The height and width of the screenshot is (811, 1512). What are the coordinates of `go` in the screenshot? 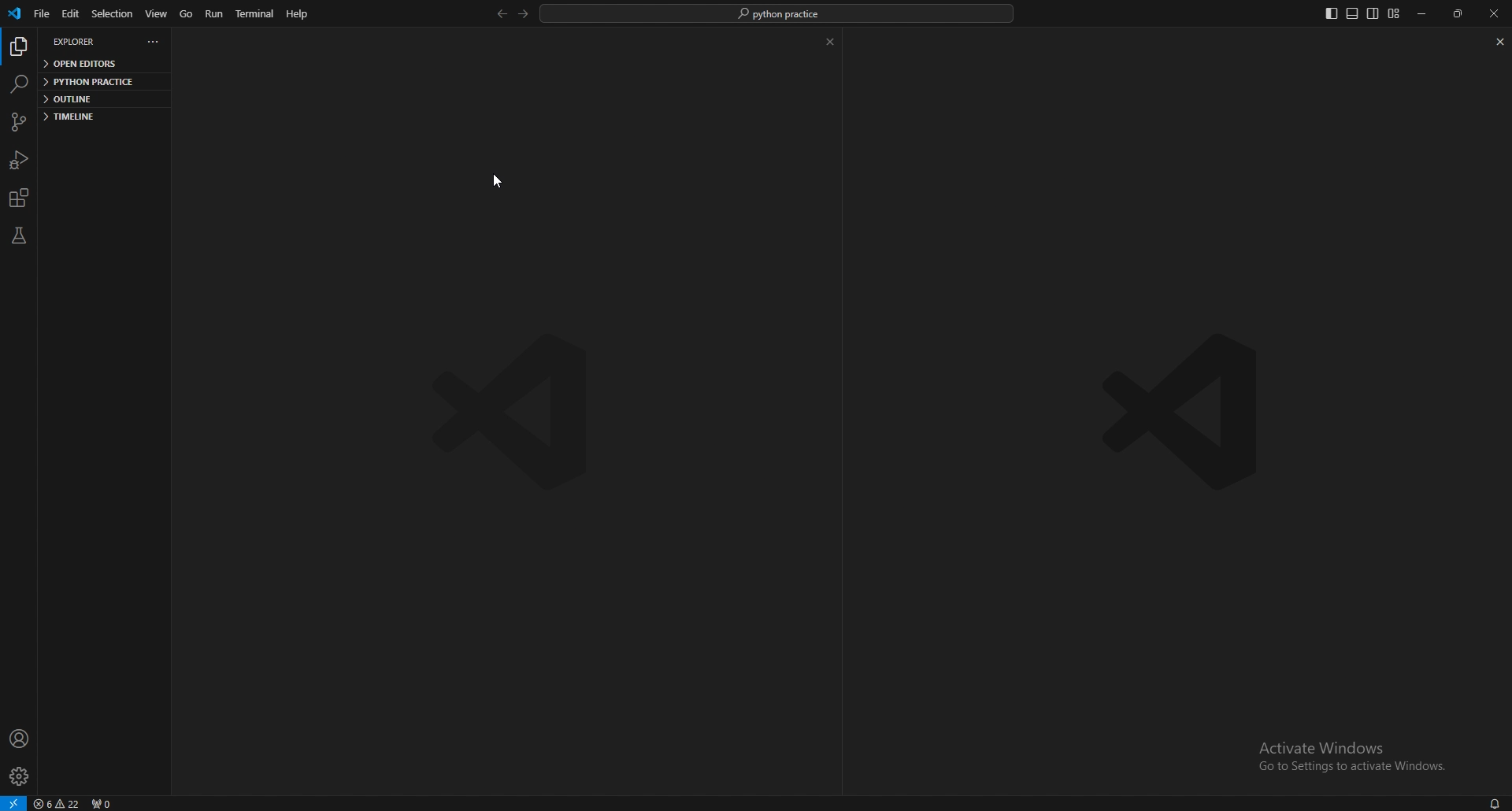 It's located at (186, 13).